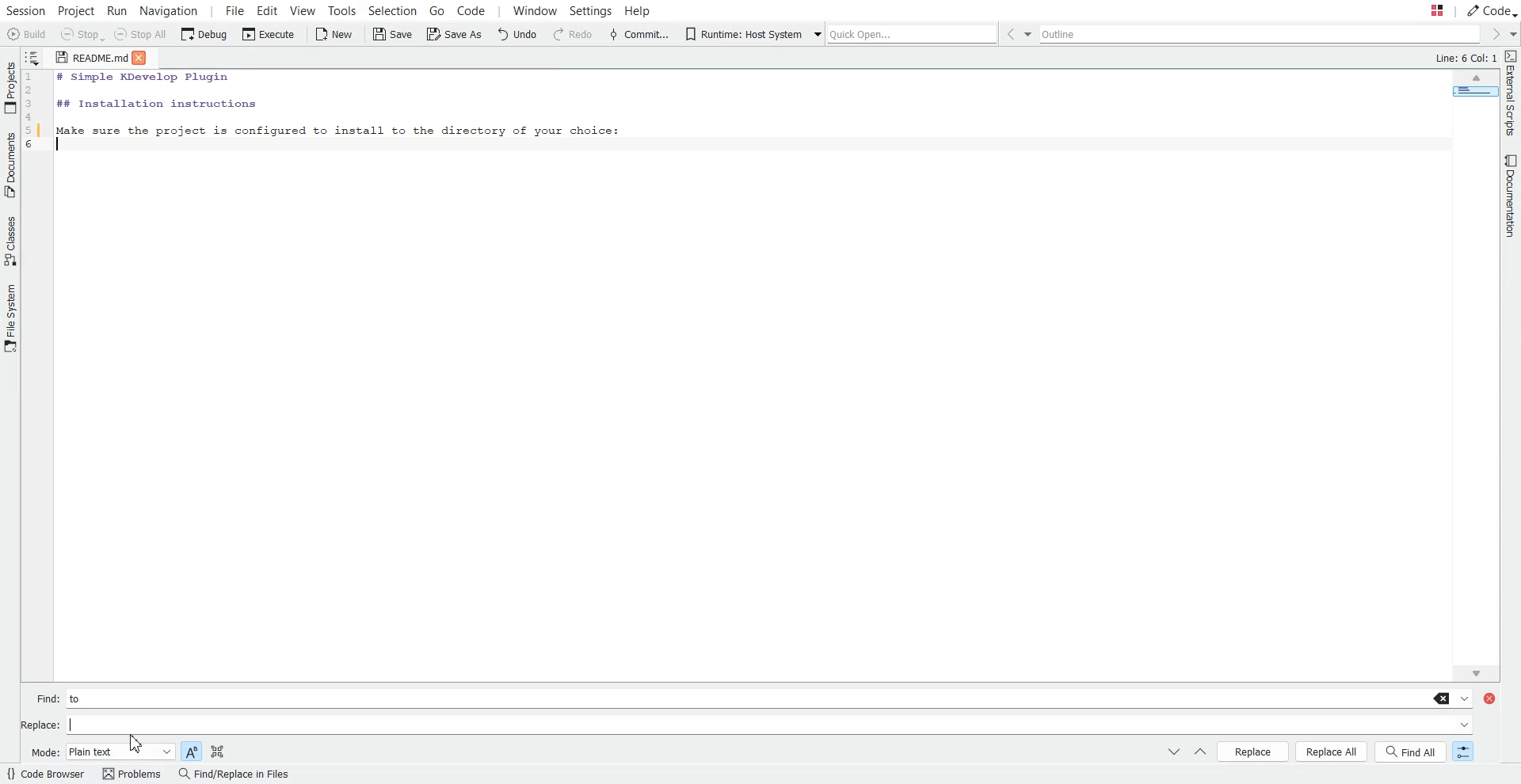 The width and height of the screenshot is (1521, 784). I want to click on Close, so click(145, 57).